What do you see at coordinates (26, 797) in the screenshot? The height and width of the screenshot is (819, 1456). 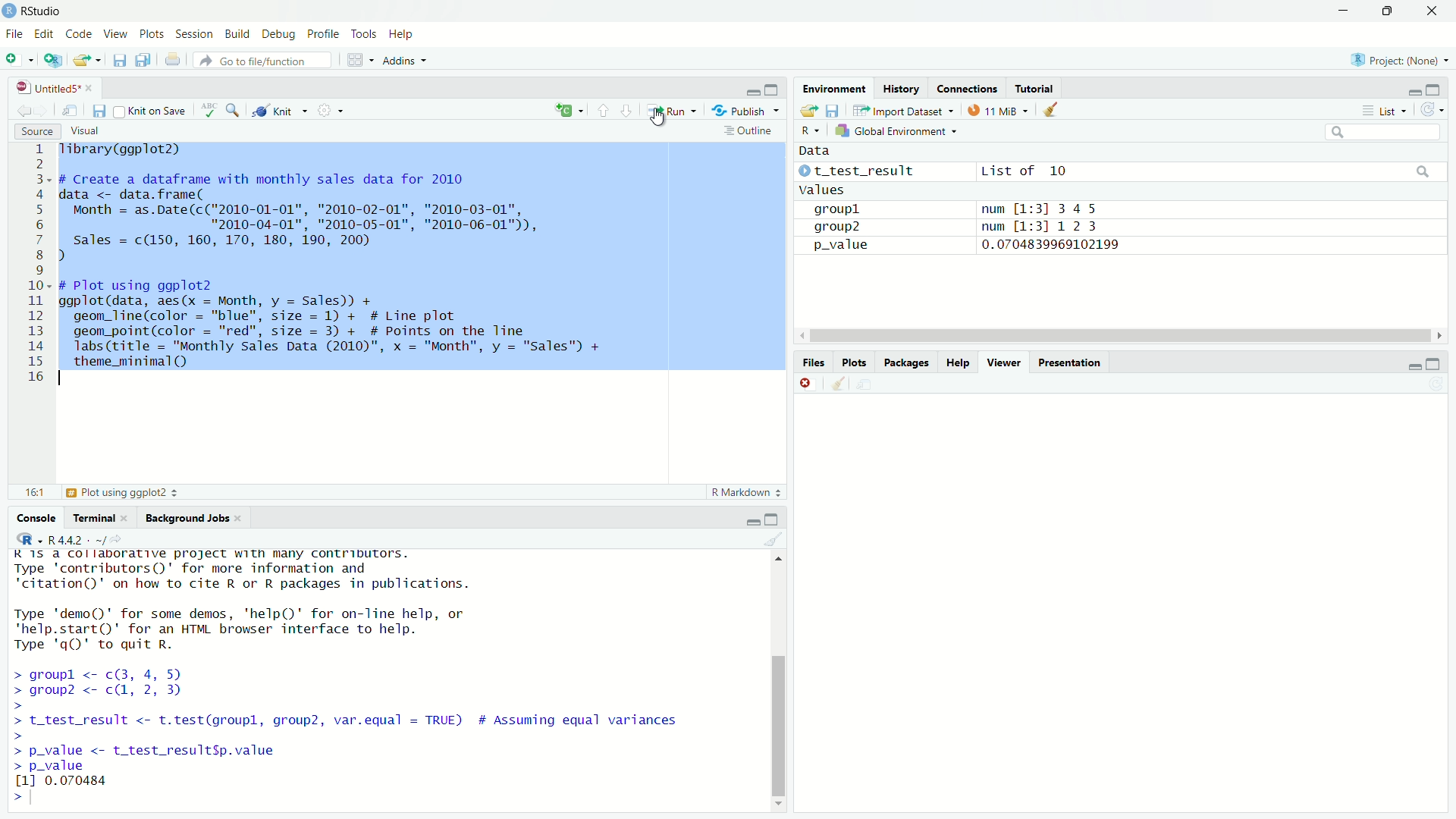 I see `prompt cursor` at bounding box center [26, 797].